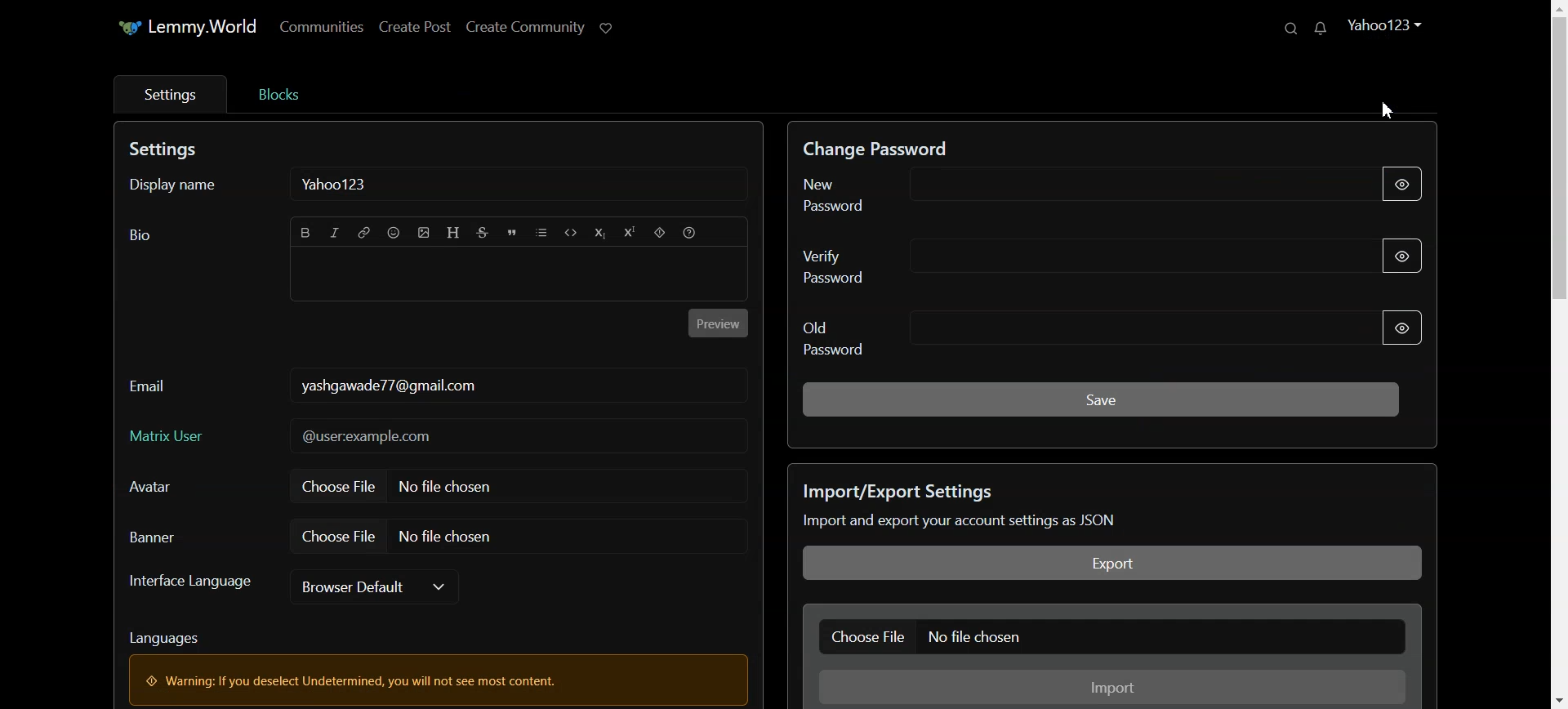  What do you see at coordinates (1401, 184) in the screenshot?
I see `Show Password` at bounding box center [1401, 184].